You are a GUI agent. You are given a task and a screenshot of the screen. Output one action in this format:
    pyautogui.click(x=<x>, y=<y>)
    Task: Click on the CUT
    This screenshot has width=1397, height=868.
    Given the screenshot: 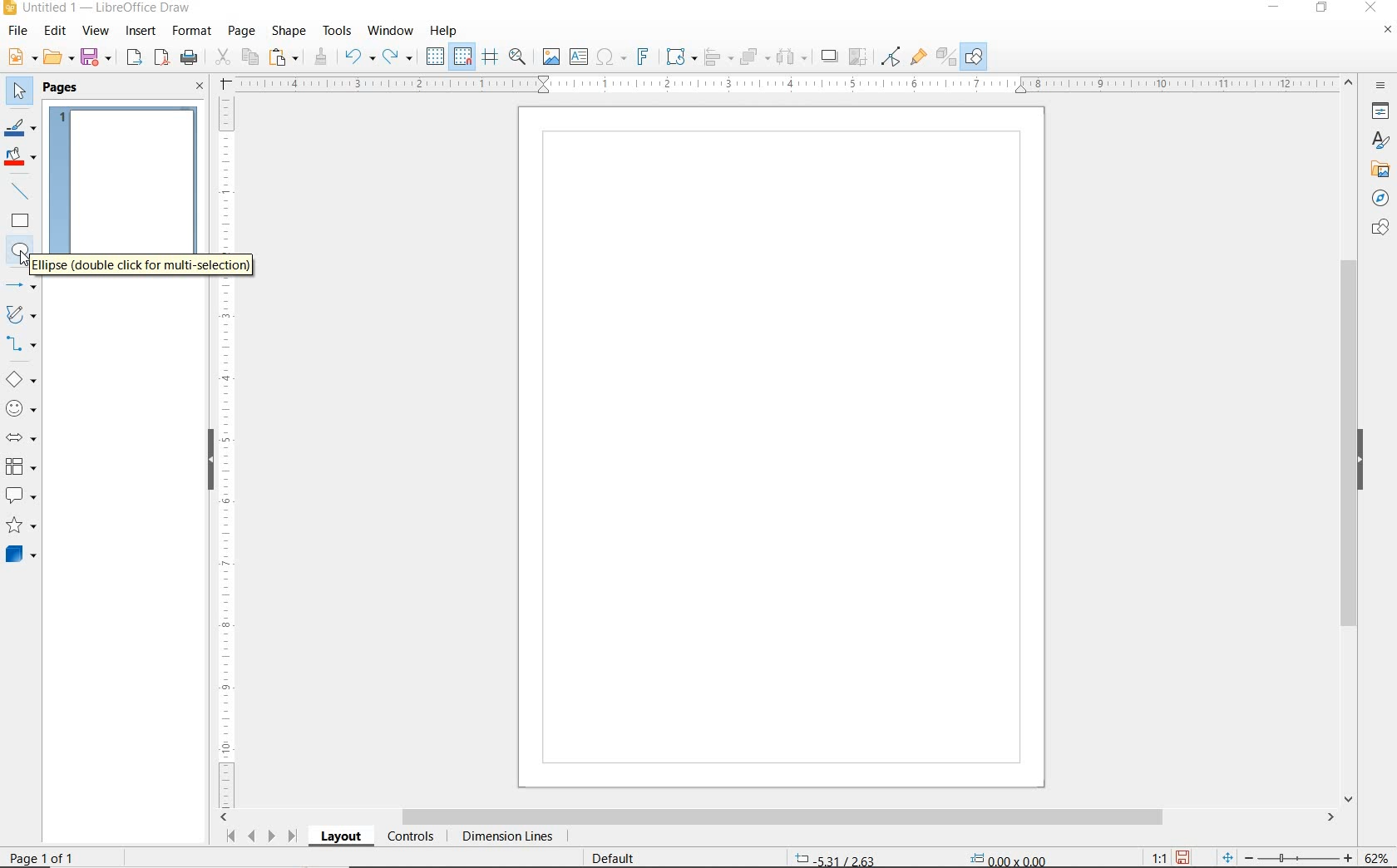 What is the action you would take?
    pyautogui.click(x=223, y=57)
    